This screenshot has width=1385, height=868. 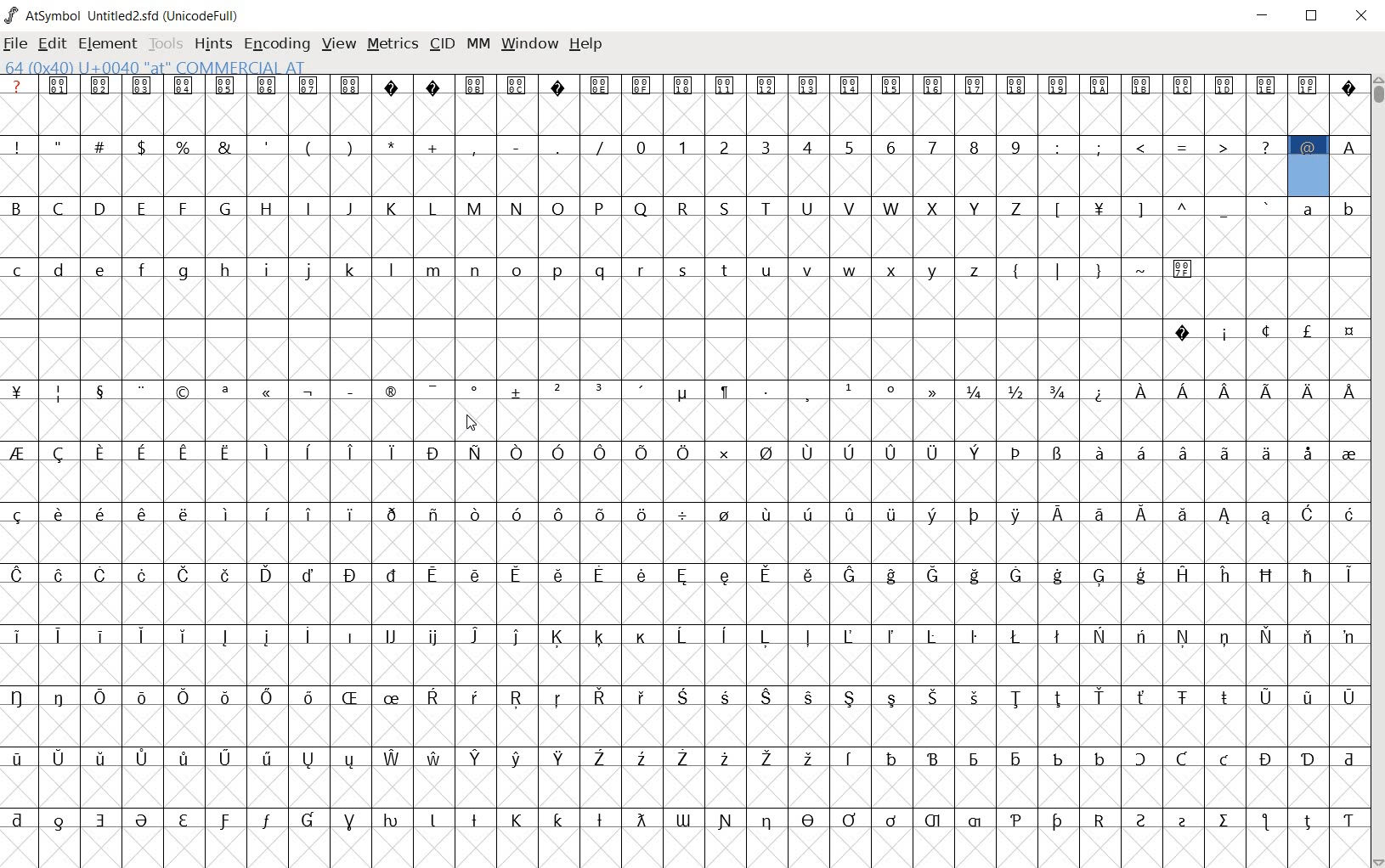 I want to click on scrollbar, so click(x=1377, y=470).